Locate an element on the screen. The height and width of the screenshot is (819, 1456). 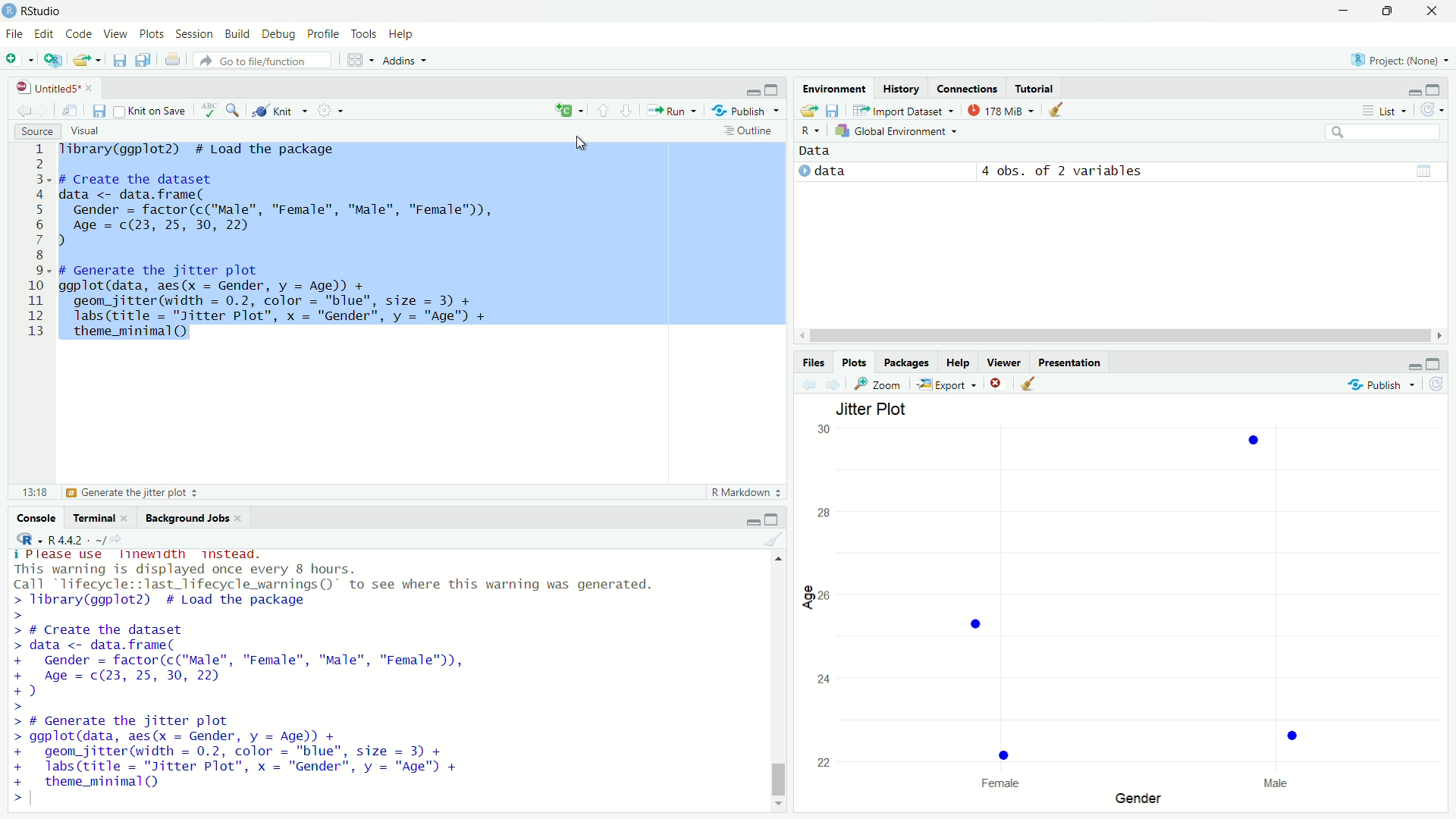
select language is located at coordinates (808, 132).